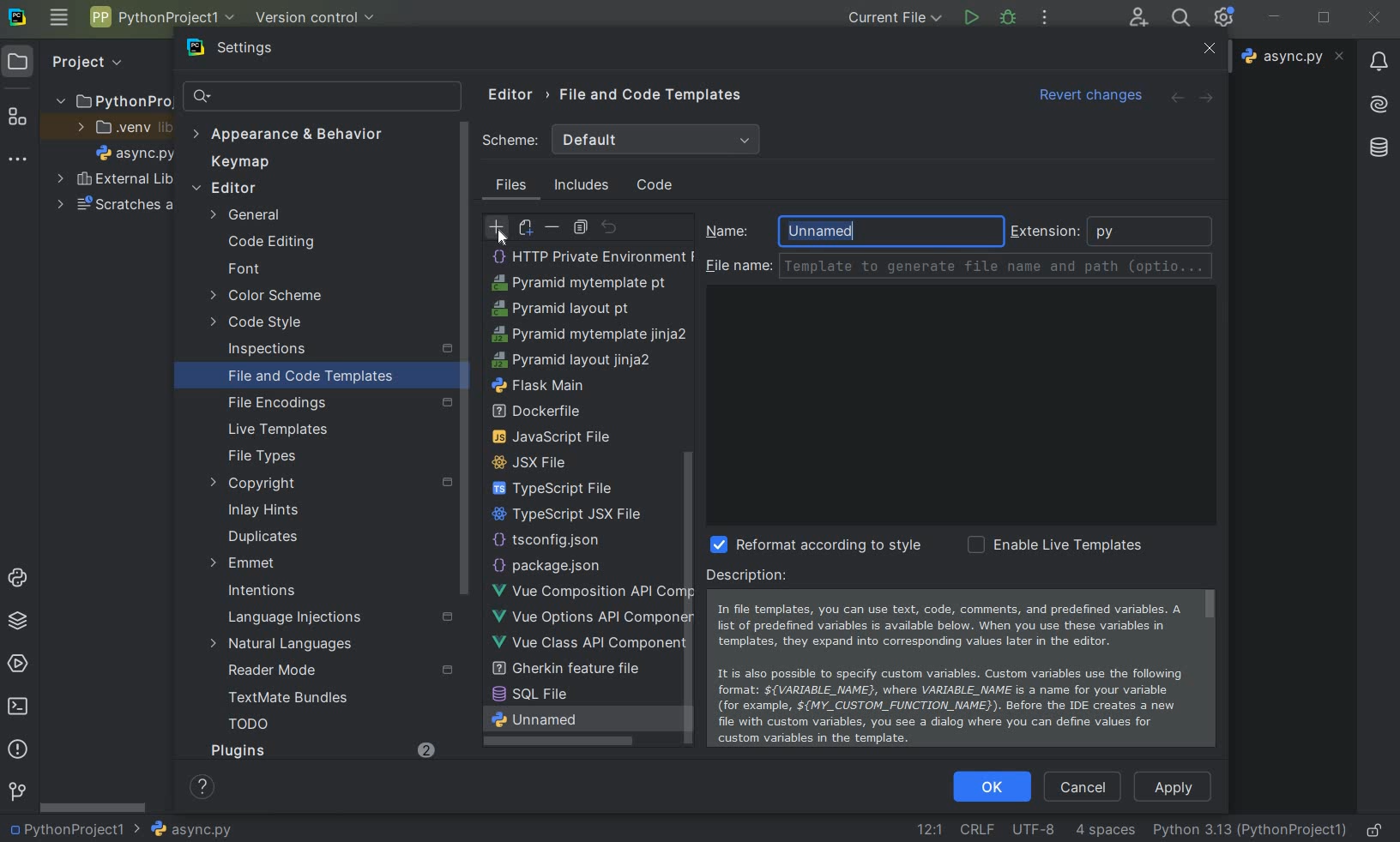 The height and width of the screenshot is (842, 1400). I want to click on appearance & behavior, so click(287, 135).